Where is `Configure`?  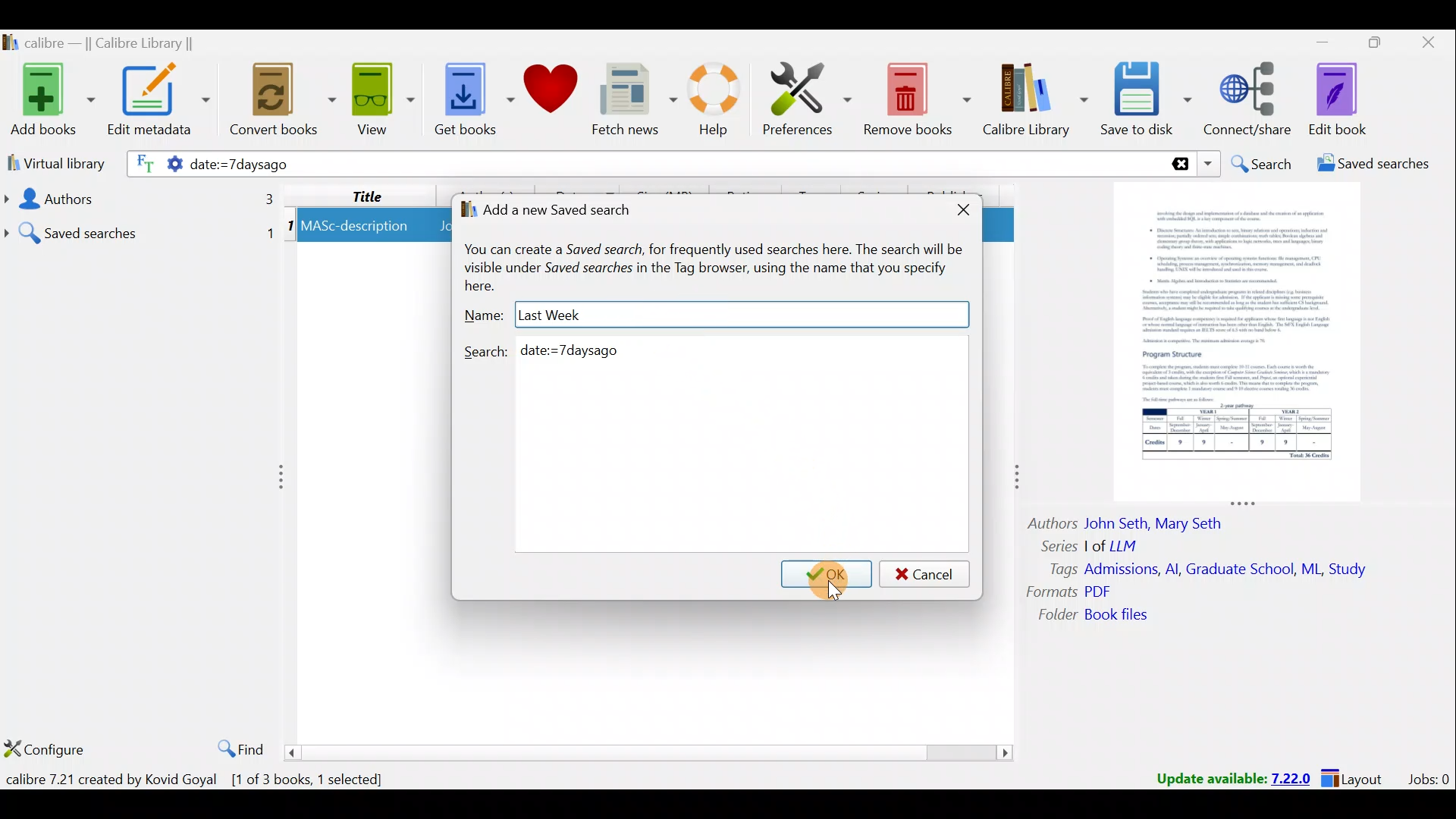 Configure is located at coordinates (45, 749).